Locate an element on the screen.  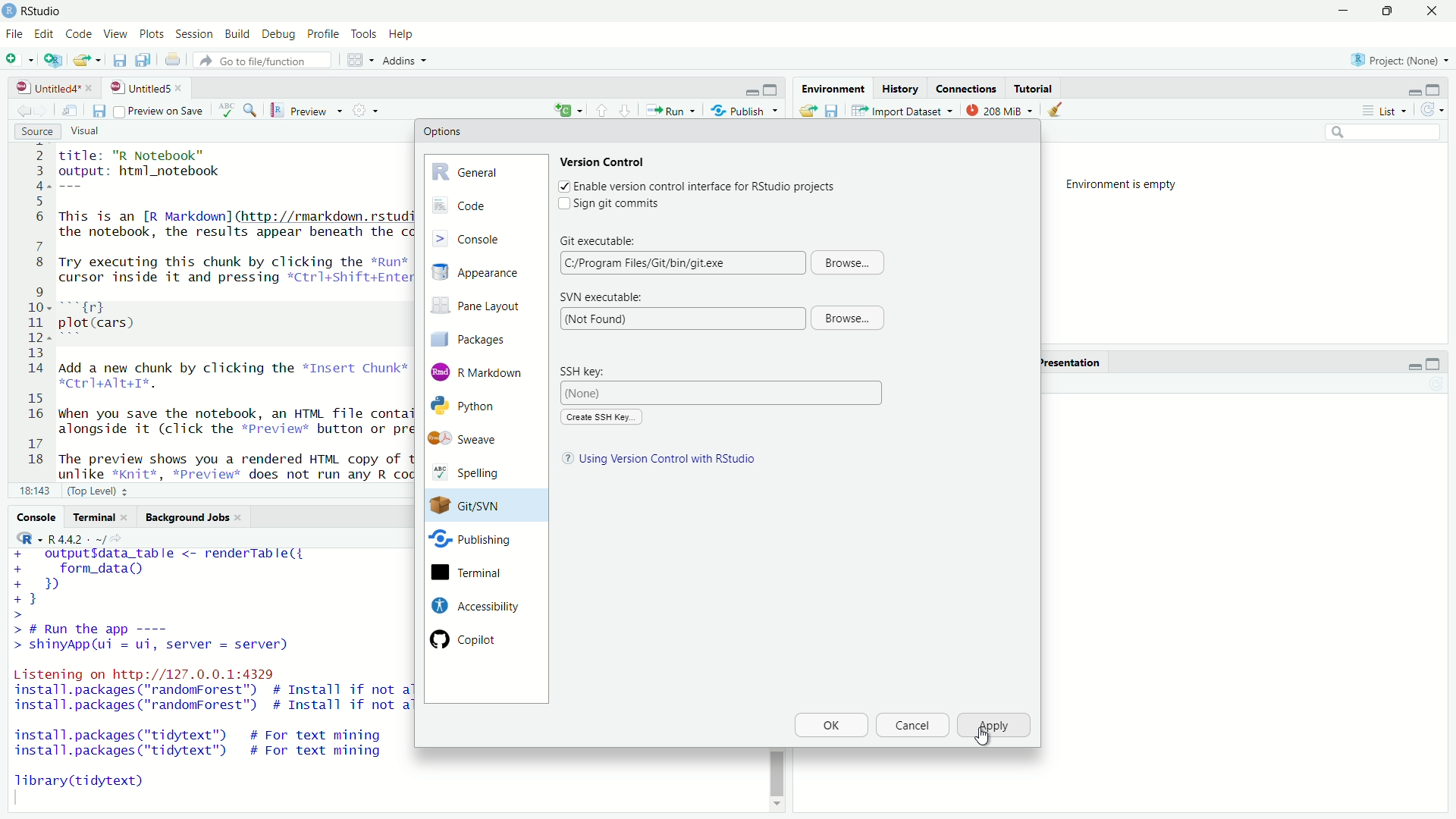
Apply is located at coordinates (995, 726).